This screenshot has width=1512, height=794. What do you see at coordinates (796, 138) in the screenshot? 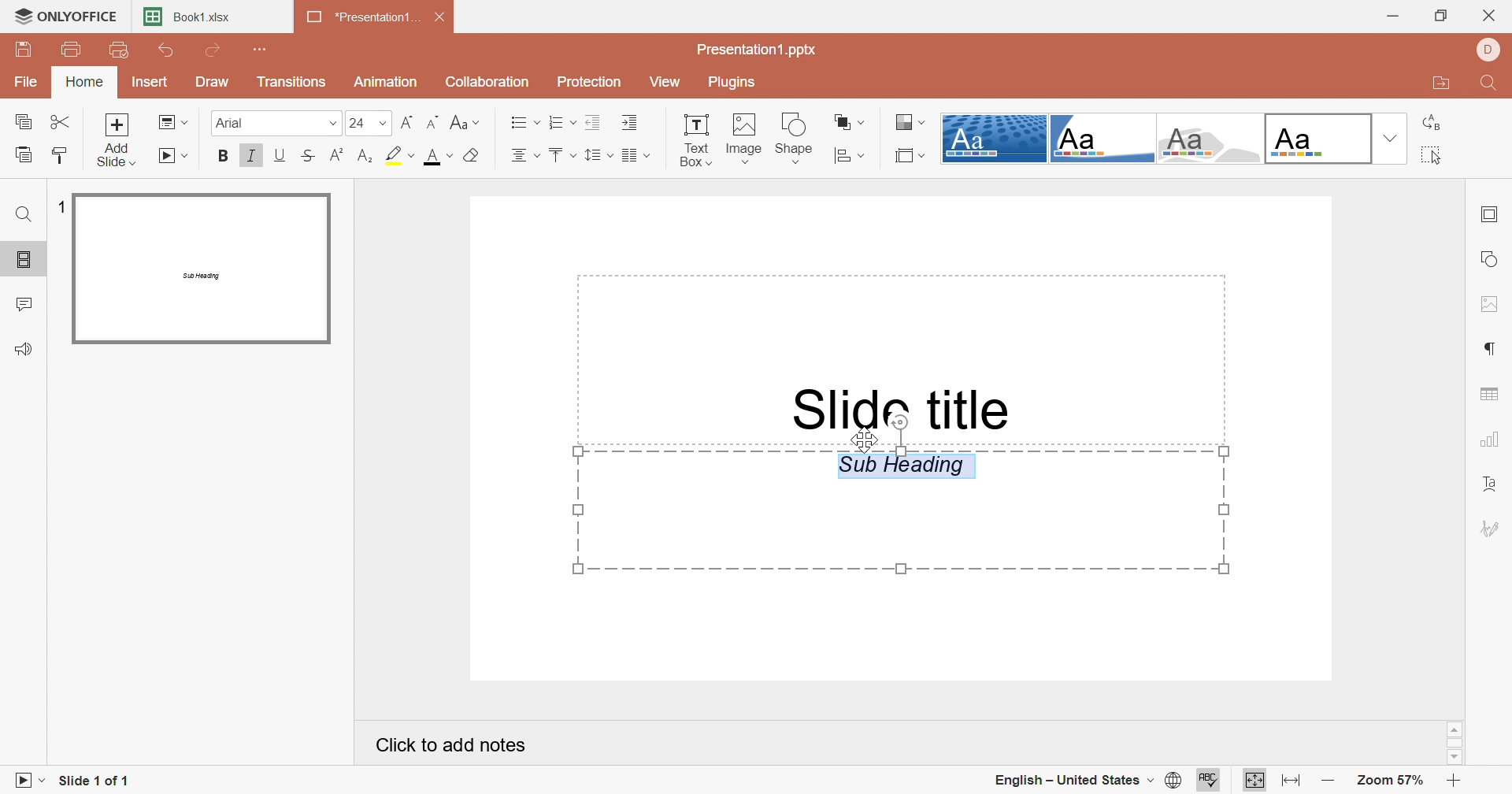
I see `Shape` at bounding box center [796, 138].